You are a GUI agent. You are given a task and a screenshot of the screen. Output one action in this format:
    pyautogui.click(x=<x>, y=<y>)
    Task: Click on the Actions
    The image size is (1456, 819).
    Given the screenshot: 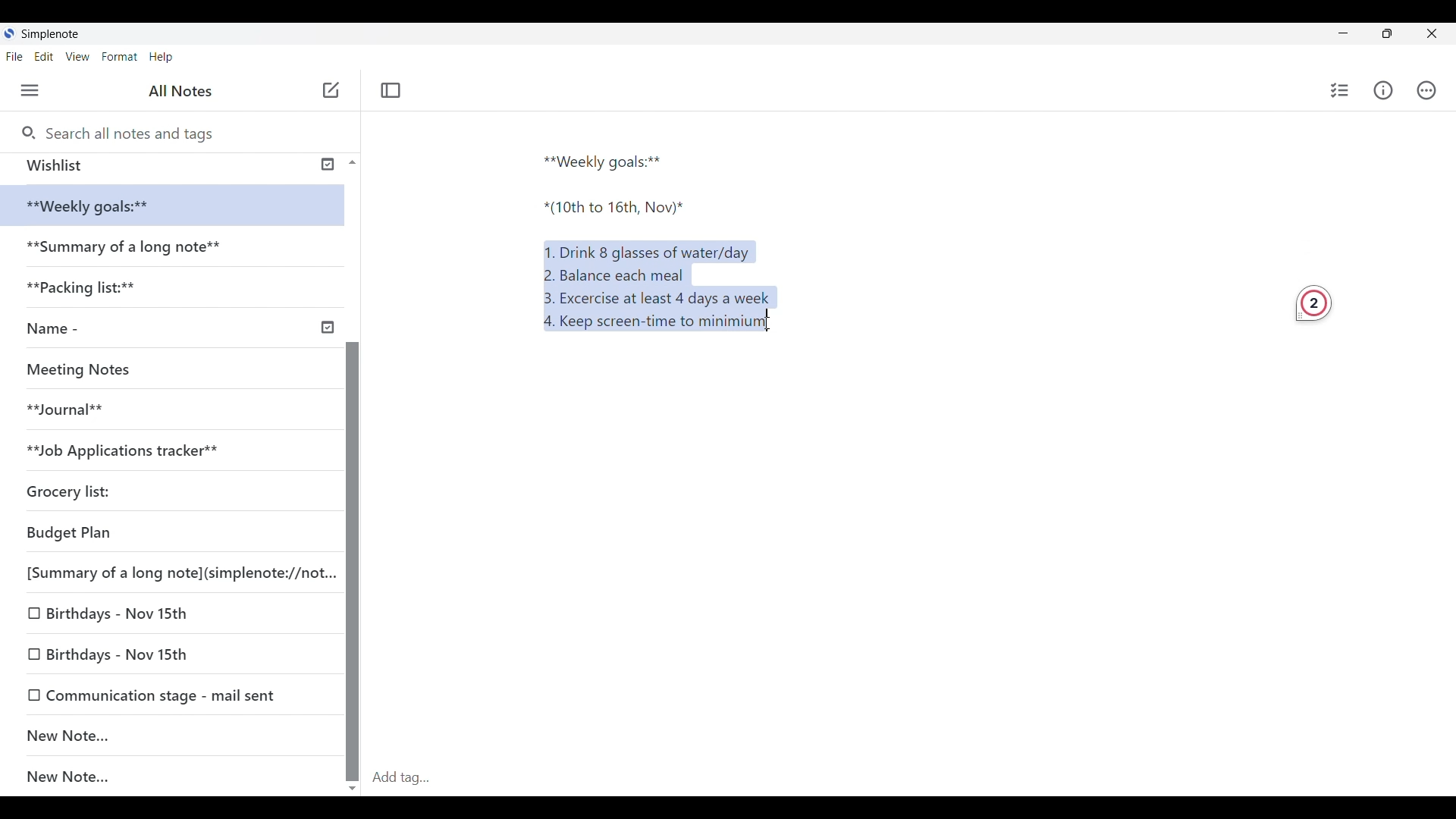 What is the action you would take?
    pyautogui.click(x=1433, y=90)
    